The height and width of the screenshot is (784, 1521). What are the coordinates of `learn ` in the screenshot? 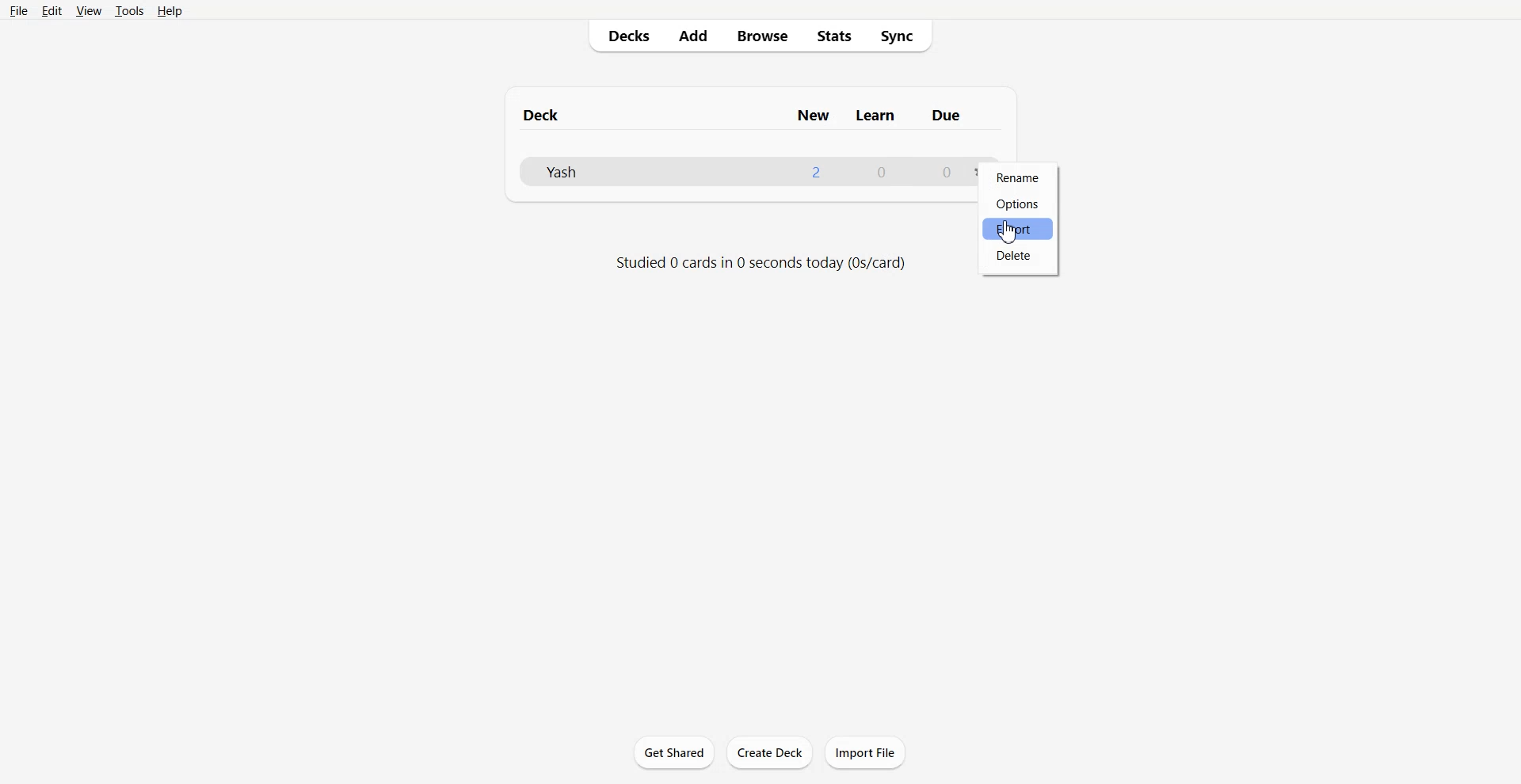 It's located at (877, 116).